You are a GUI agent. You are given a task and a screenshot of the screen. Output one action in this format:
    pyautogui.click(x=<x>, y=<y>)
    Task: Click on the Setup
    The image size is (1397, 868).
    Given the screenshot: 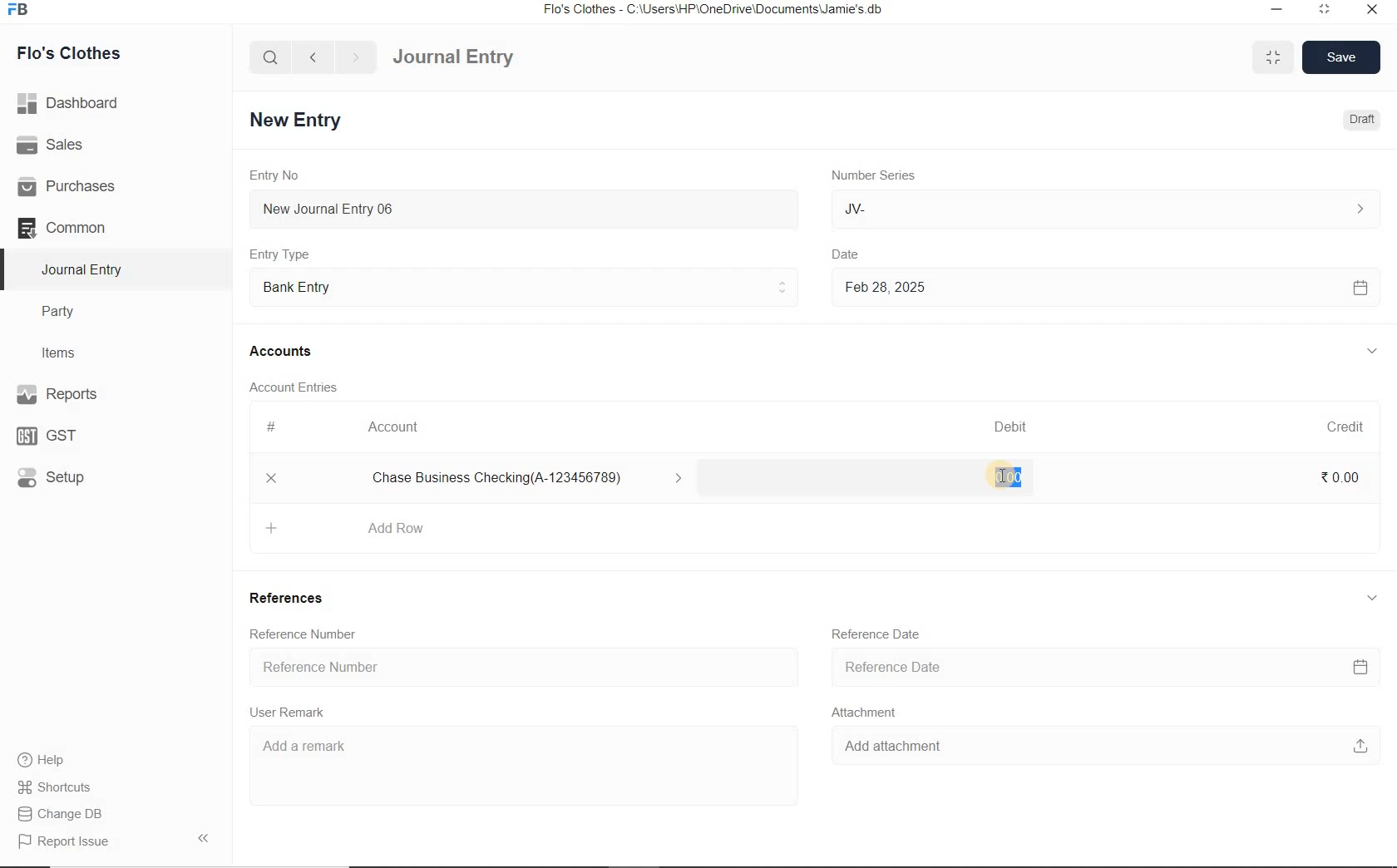 What is the action you would take?
    pyautogui.click(x=67, y=476)
    